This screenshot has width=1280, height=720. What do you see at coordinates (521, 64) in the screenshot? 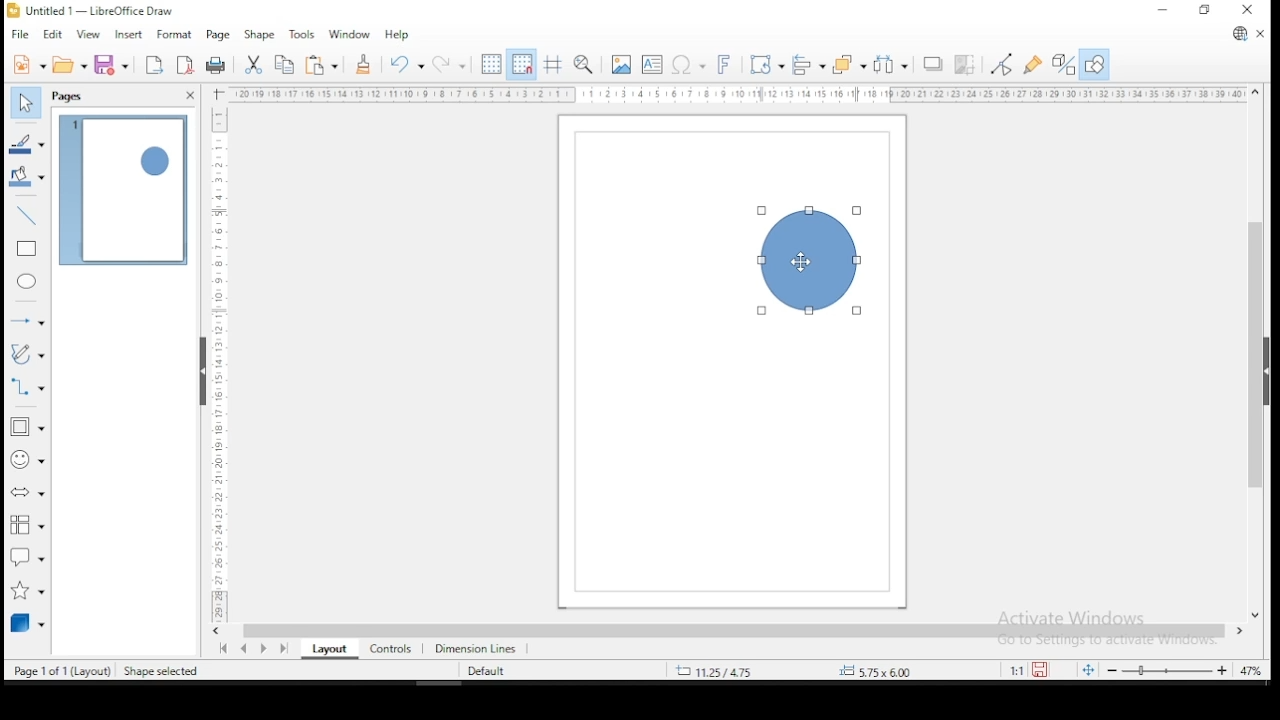
I see `snap to grids` at bounding box center [521, 64].